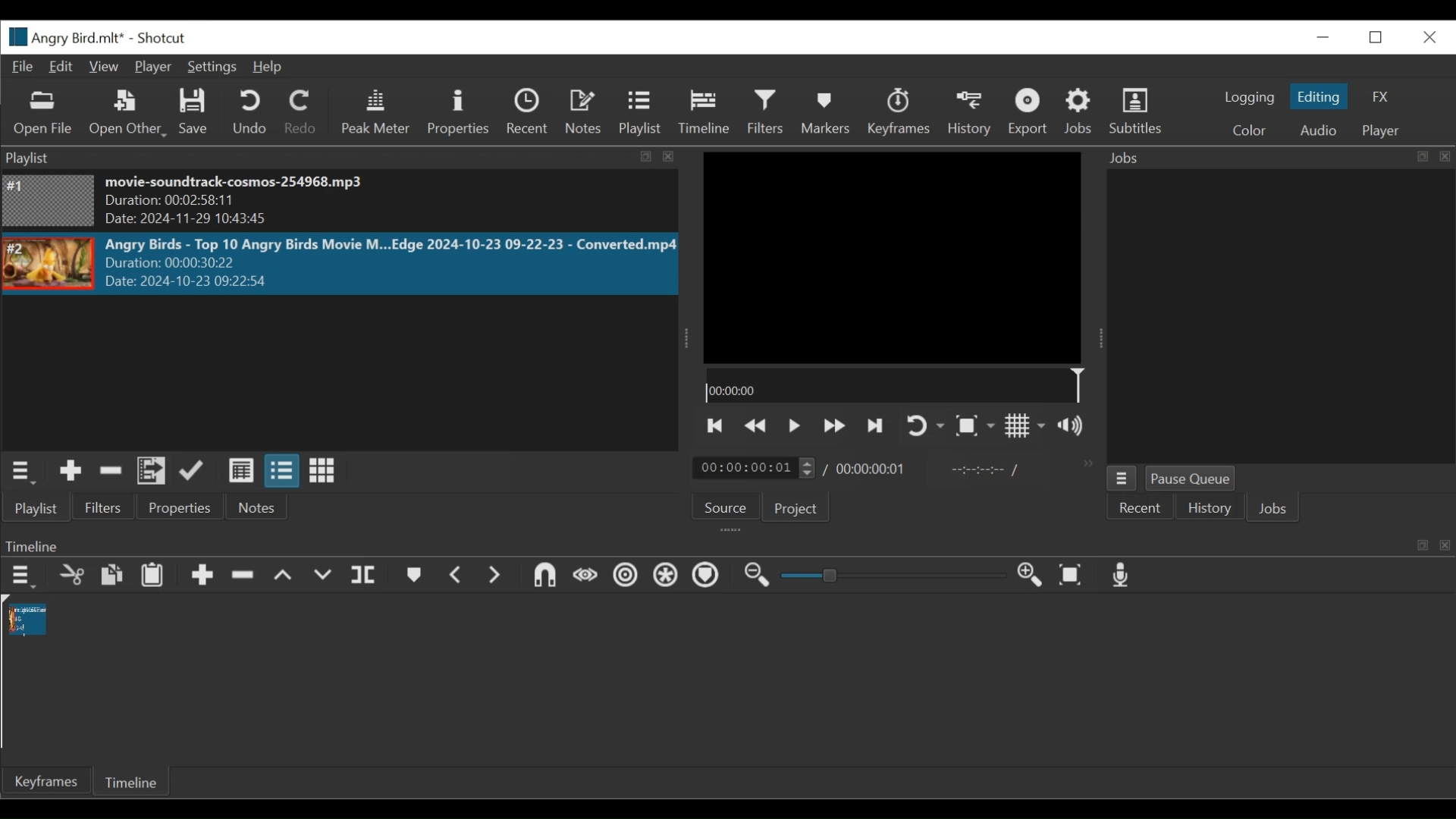 The height and width of the screenshot is (819, 1456). Describe the element at coordinates (1276, 508) in the screenshot. I see `Jobs` at that location.